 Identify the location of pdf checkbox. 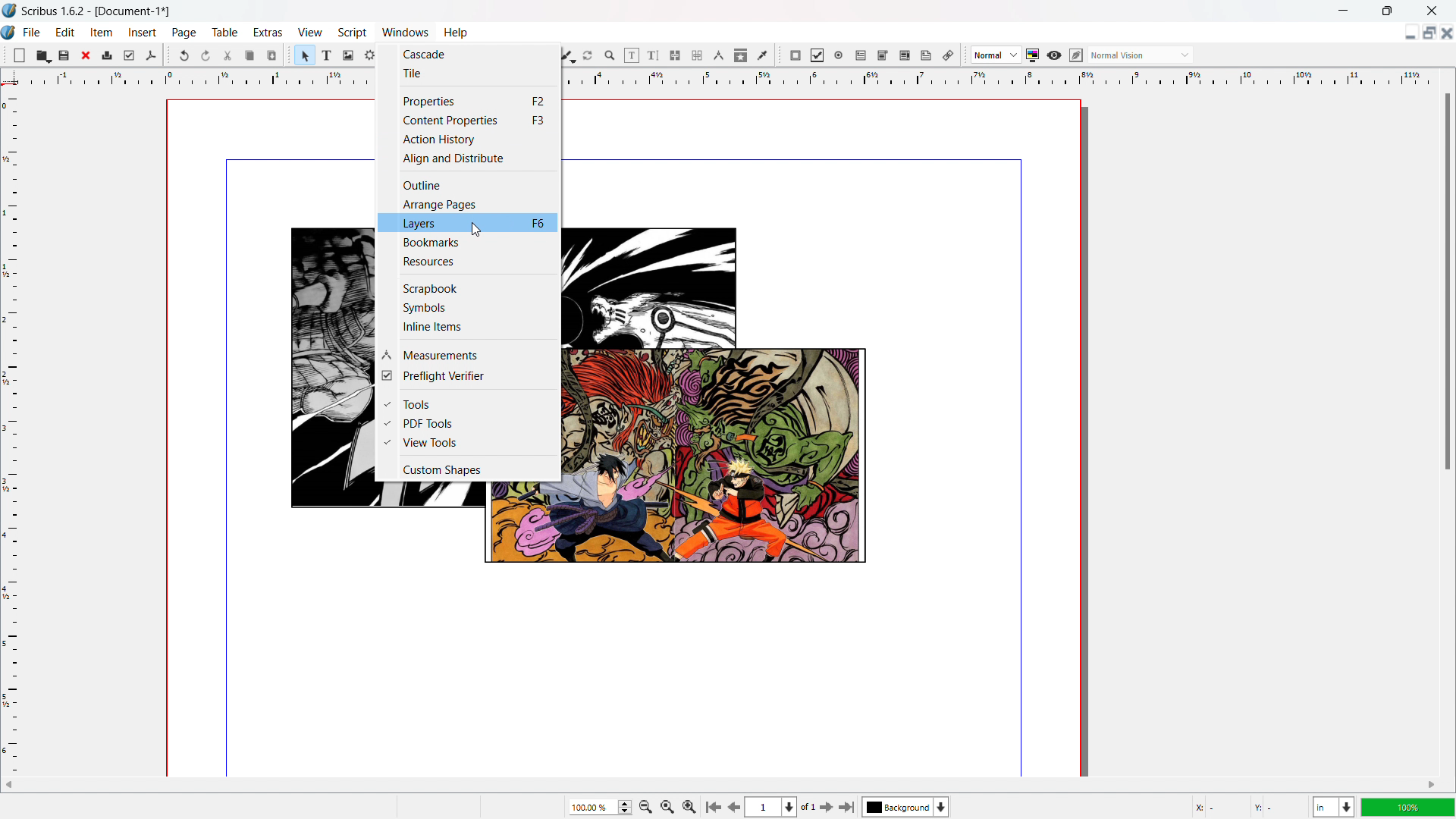
(817, 55).